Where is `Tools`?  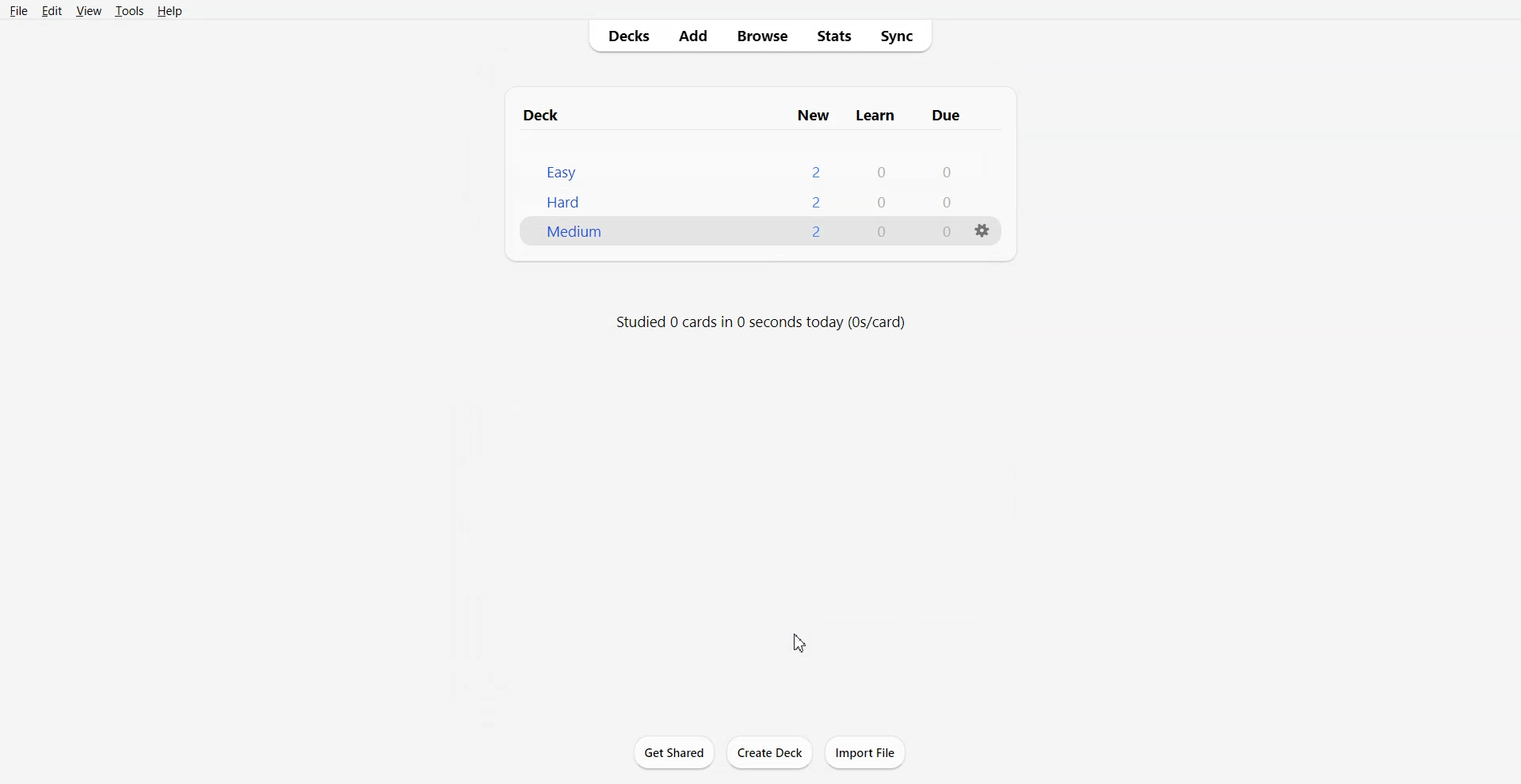 Tools is located at coordinates (129, 10).